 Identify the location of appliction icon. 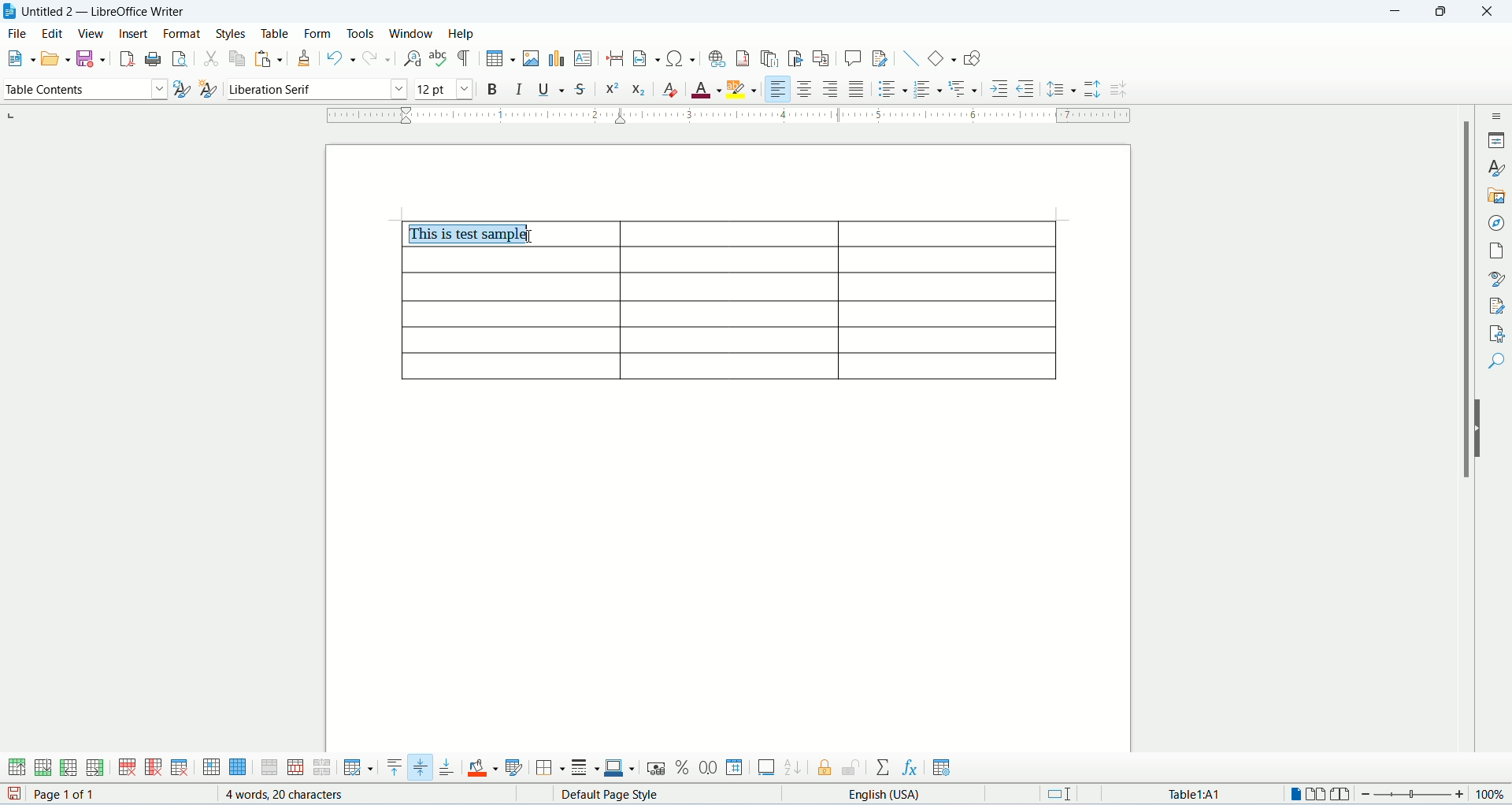
(9, 11).